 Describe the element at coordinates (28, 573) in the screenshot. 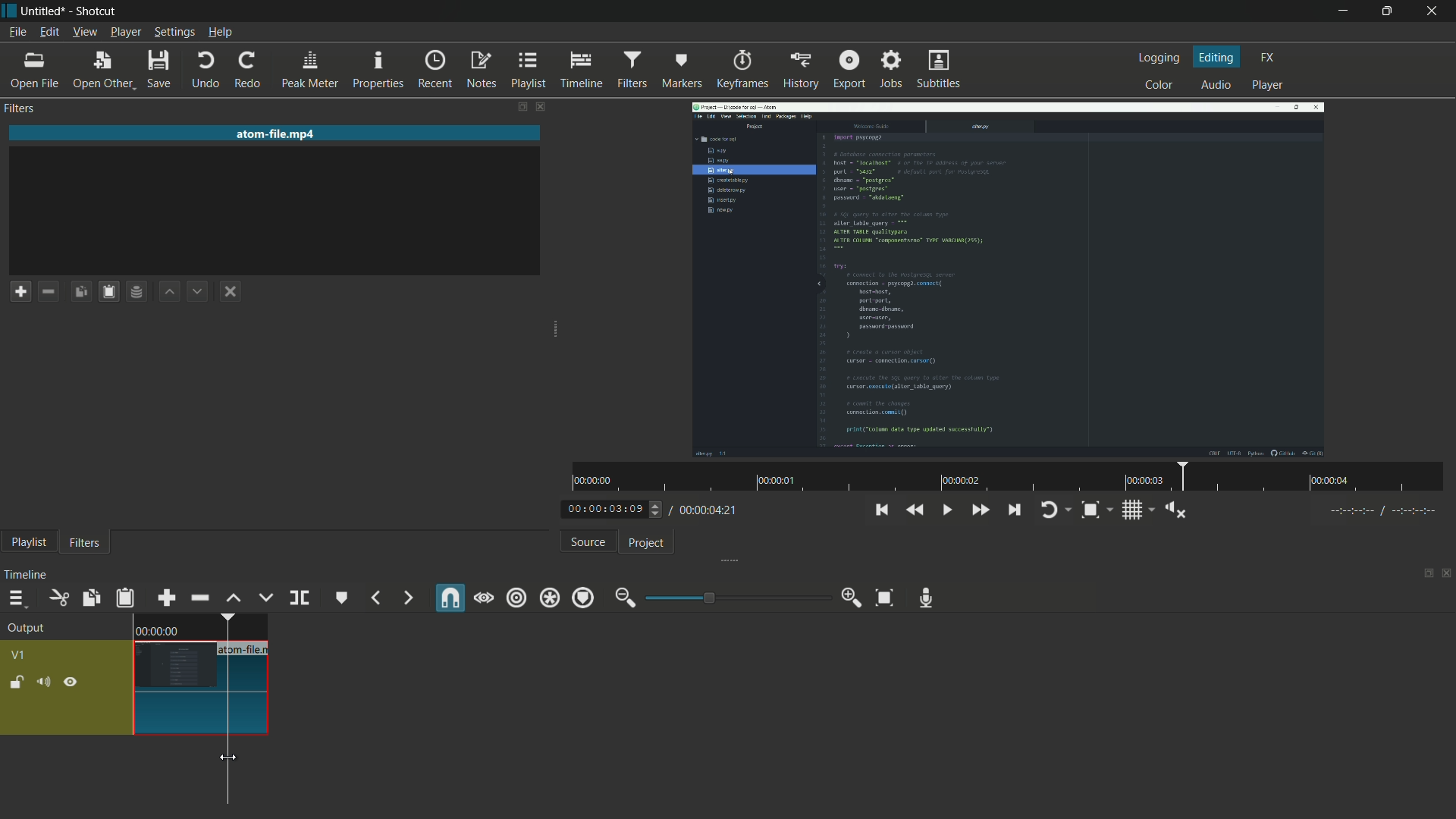

I see `timeline` at that location.